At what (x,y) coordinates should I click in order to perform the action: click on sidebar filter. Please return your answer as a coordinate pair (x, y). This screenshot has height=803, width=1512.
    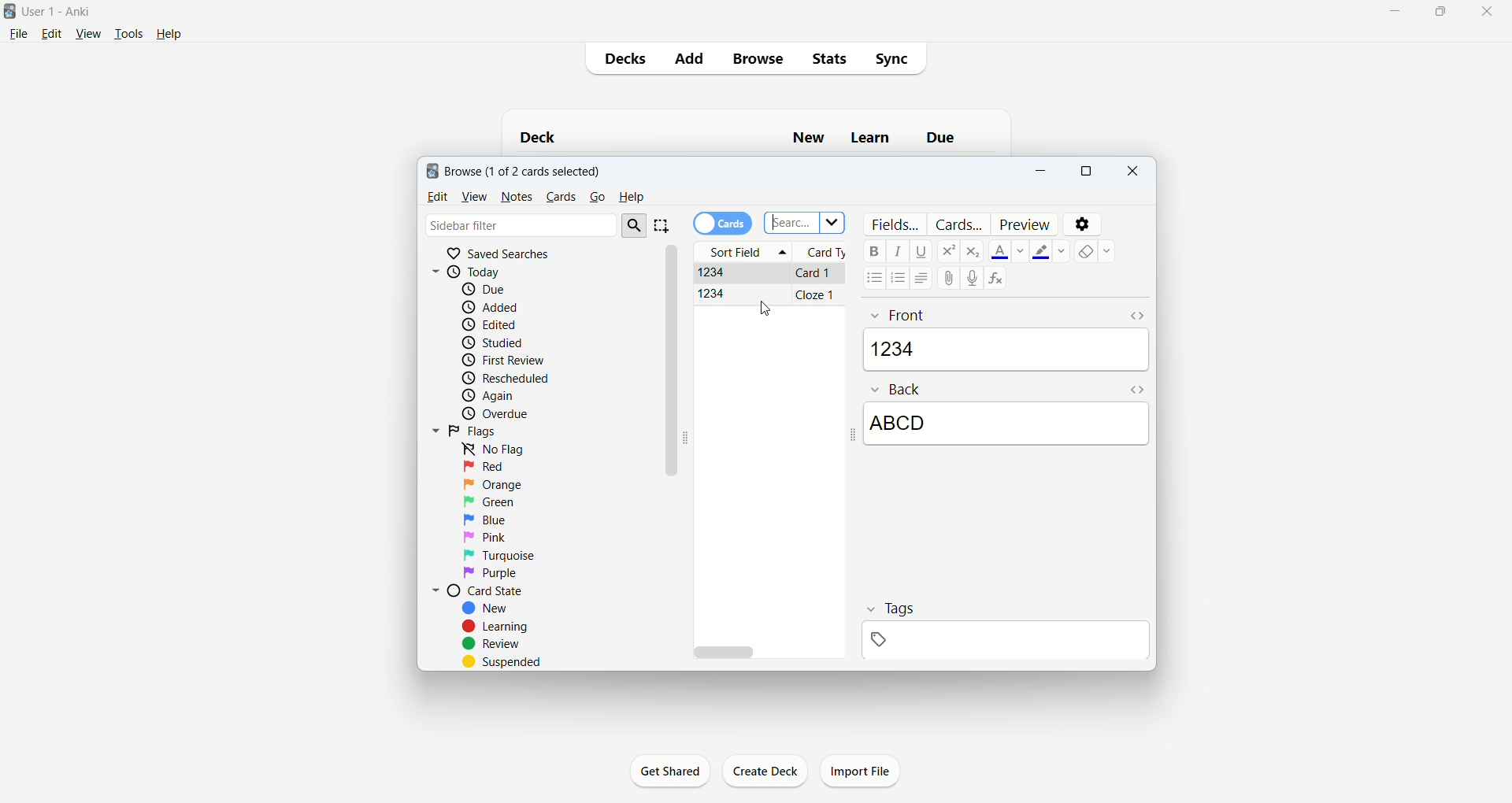
    Looking at the image, I should click on (518, 225).